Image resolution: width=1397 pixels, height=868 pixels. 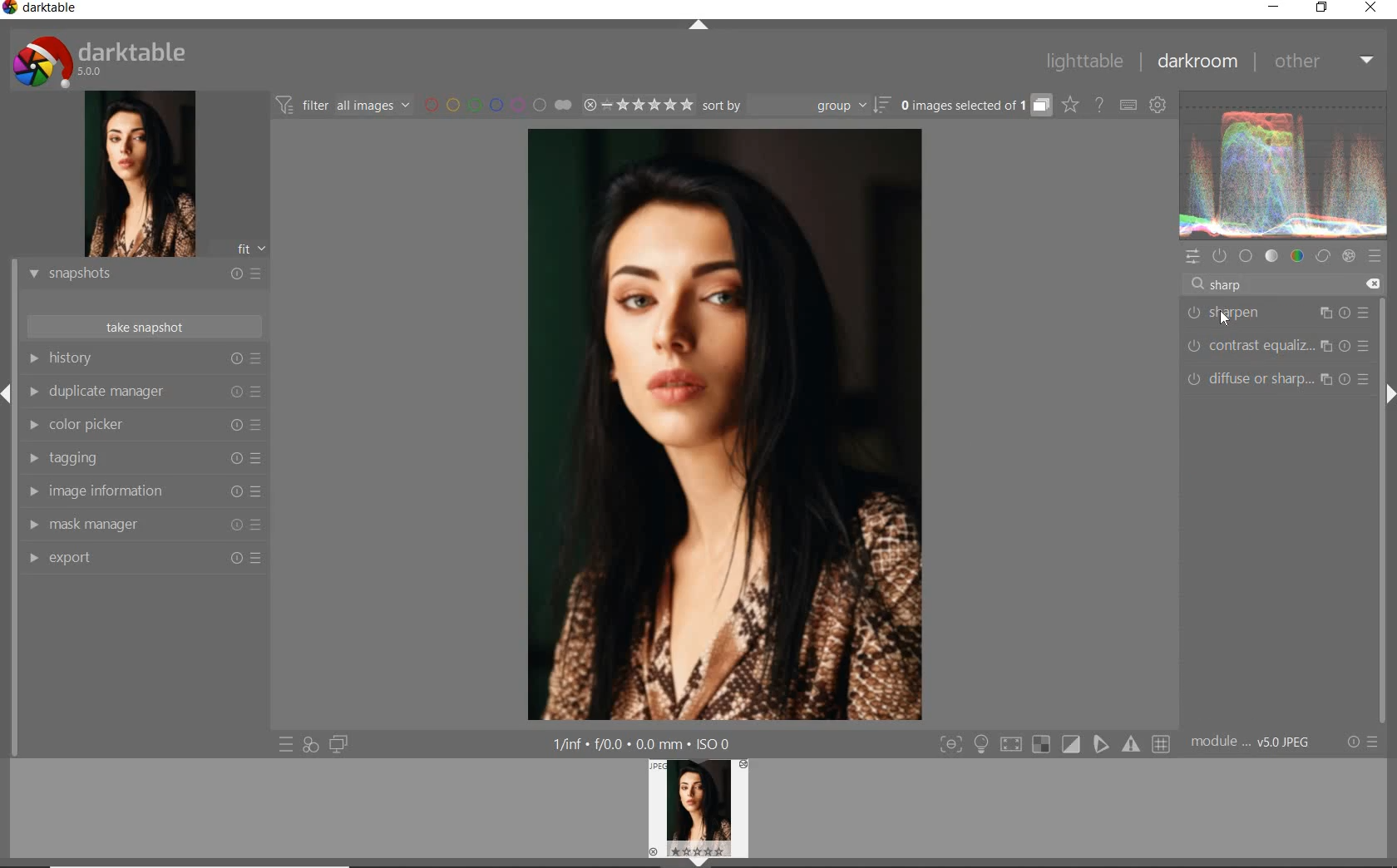 What do you see at coordinates (310, 745) in the screenshot?
I see `quick access for applying any of your styles` at bounding box center [310, 745].